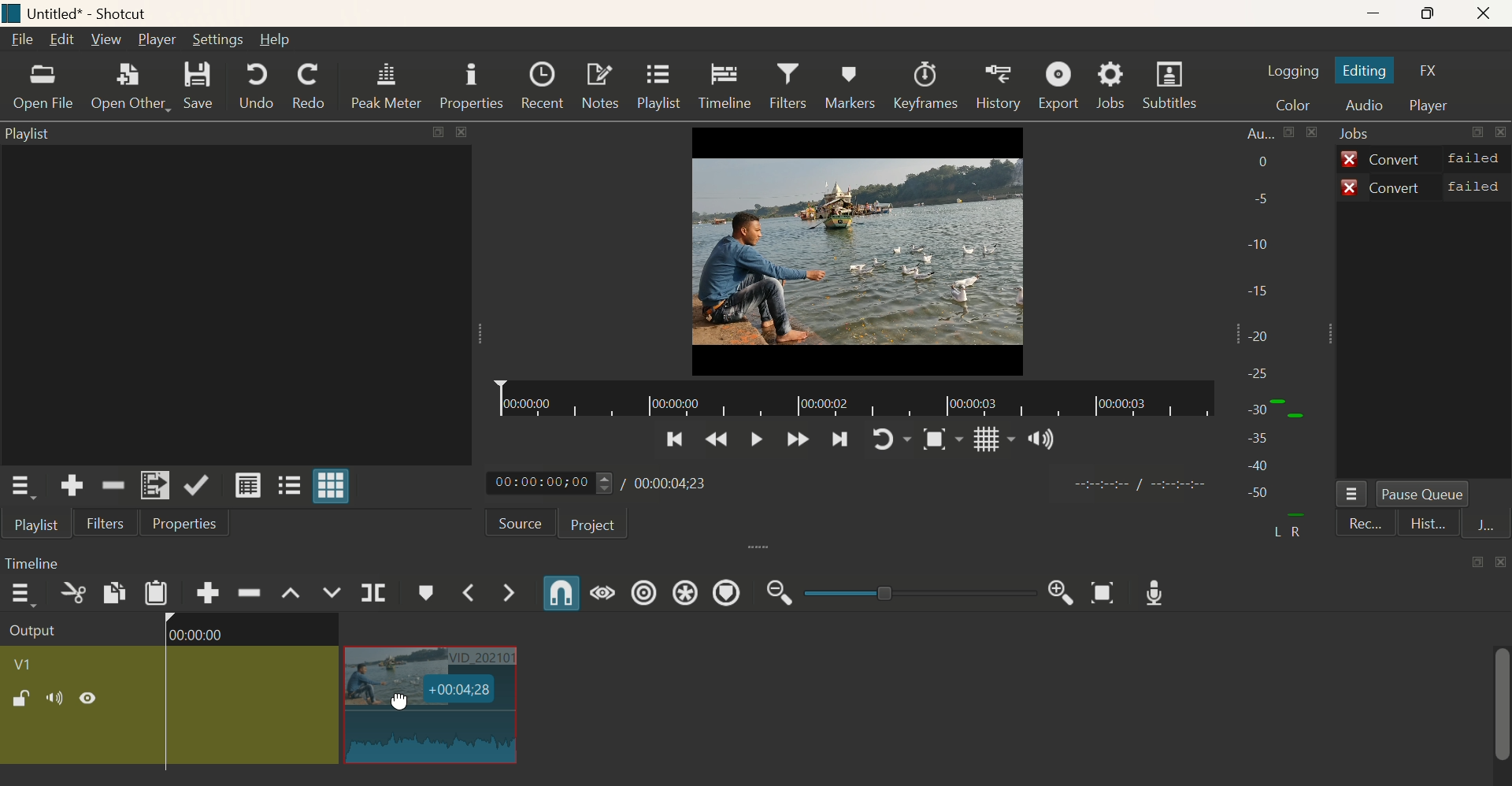 The image size is (1512, 786). Describe the element at coordinates (250, 487) in the screenshot. I see `View as details` at that location.